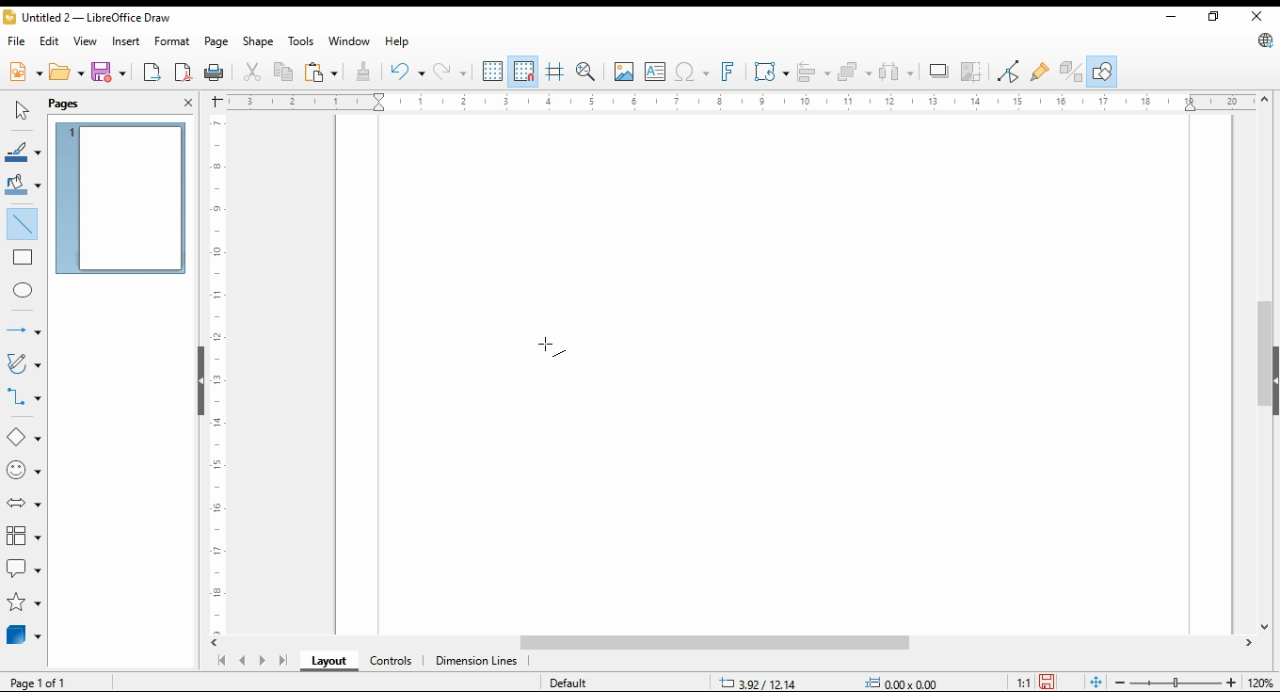 The height and width of the screenshot is (692, 1280). Describe the element at coordinates (261, 661) in the screenshot. I see `next page` at that location.